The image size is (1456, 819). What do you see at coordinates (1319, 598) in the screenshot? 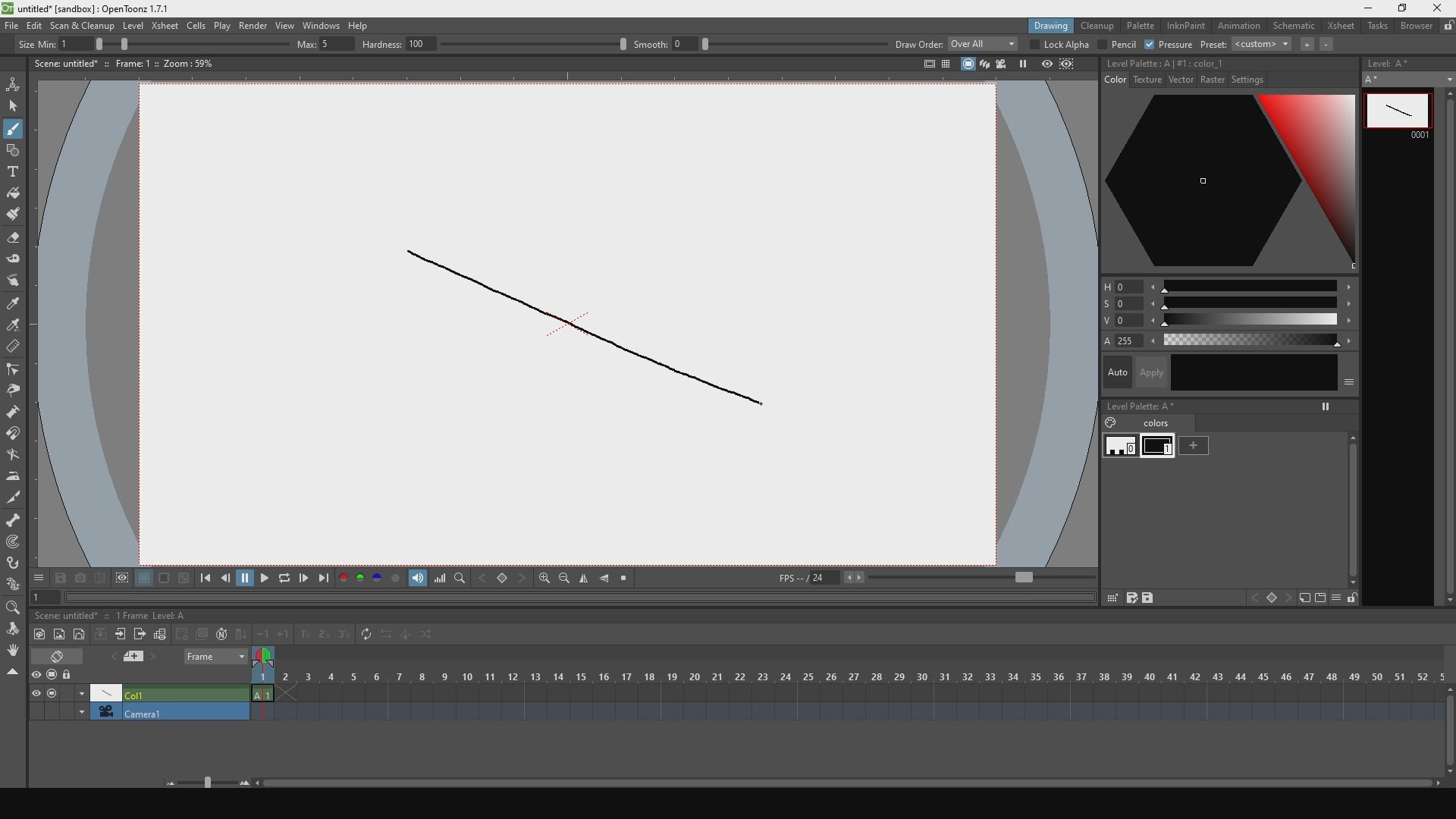
I see `icon` at bounding box center [1319, 598].